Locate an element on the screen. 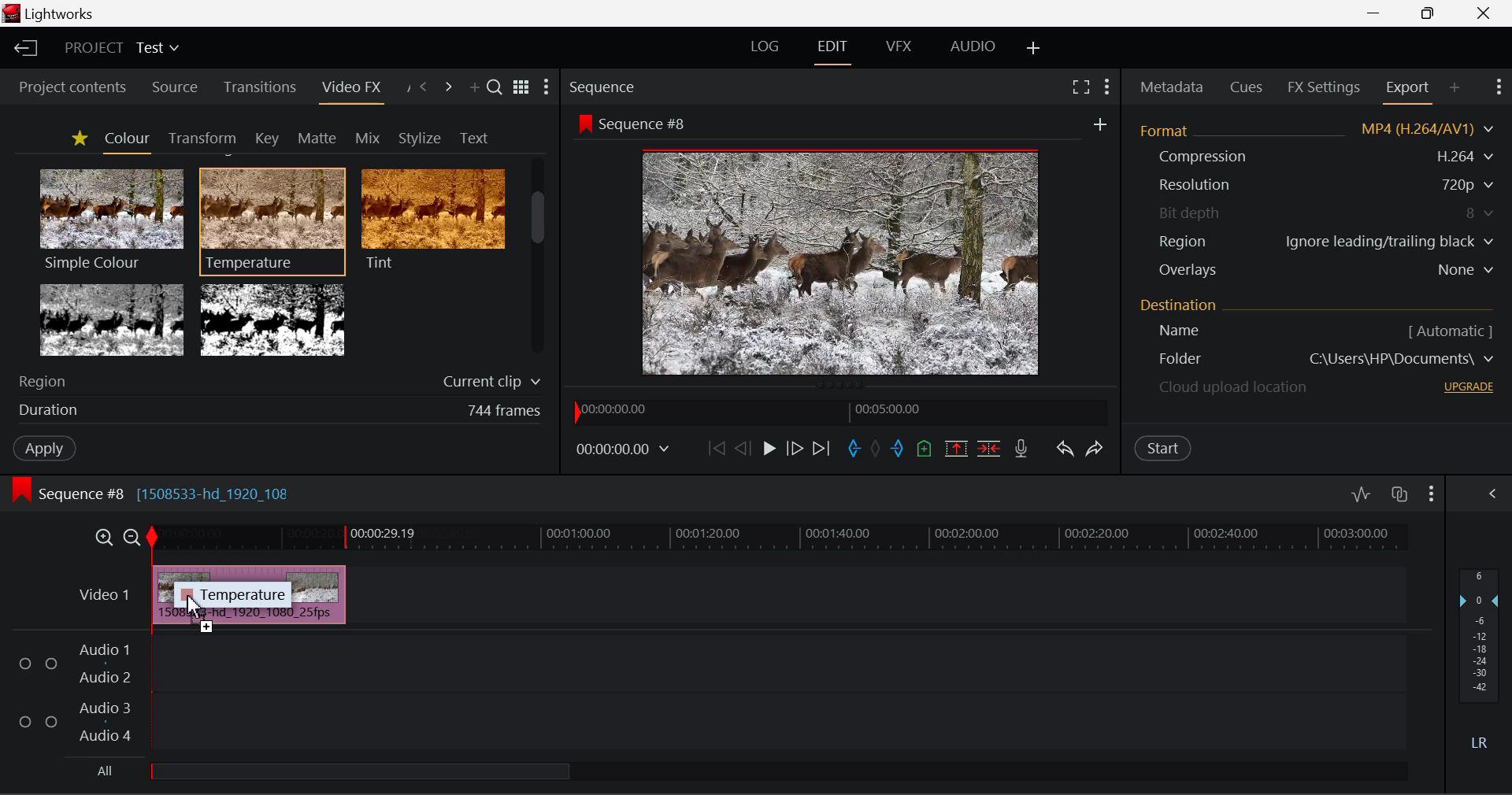  Transitions is located at coordinates (258, 87).